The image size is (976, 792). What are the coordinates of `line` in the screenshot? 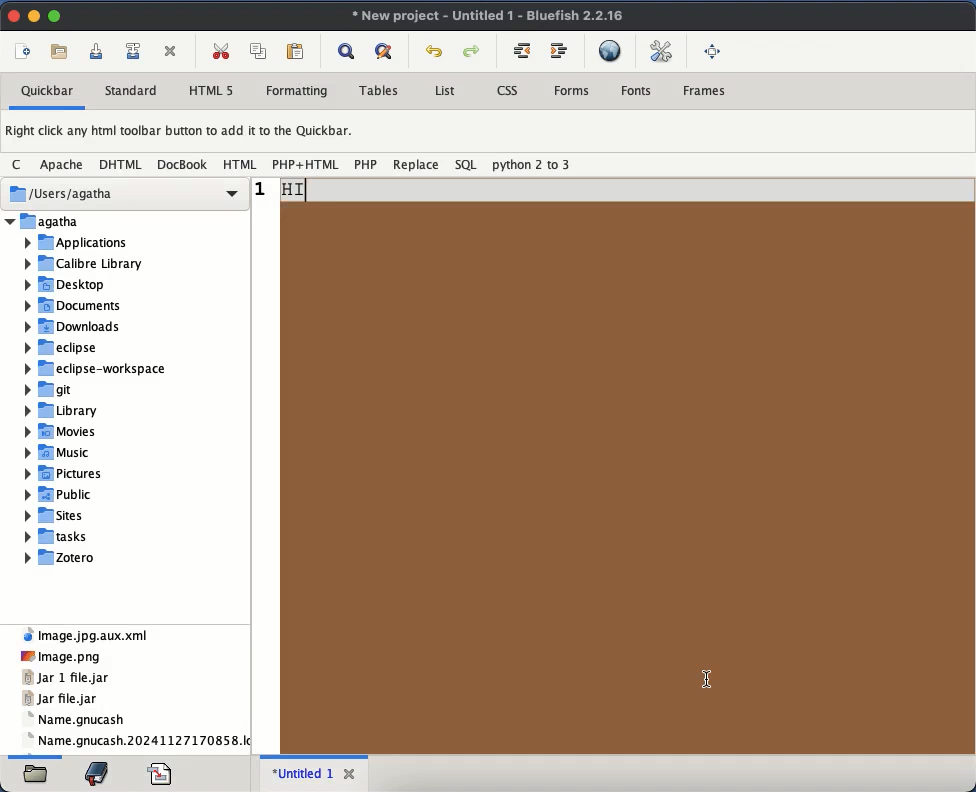 It's located at (615, 189).